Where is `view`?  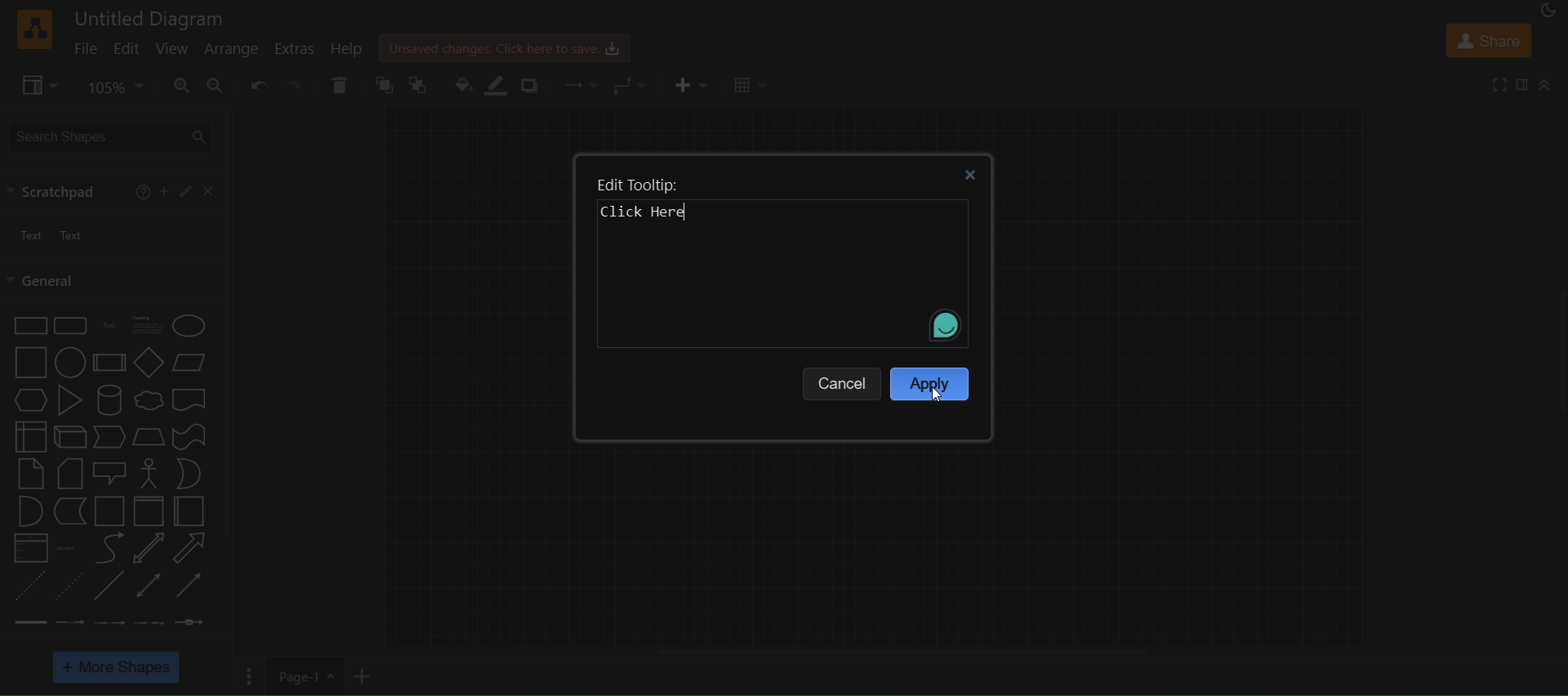
view is located at coordinates (173, 47).